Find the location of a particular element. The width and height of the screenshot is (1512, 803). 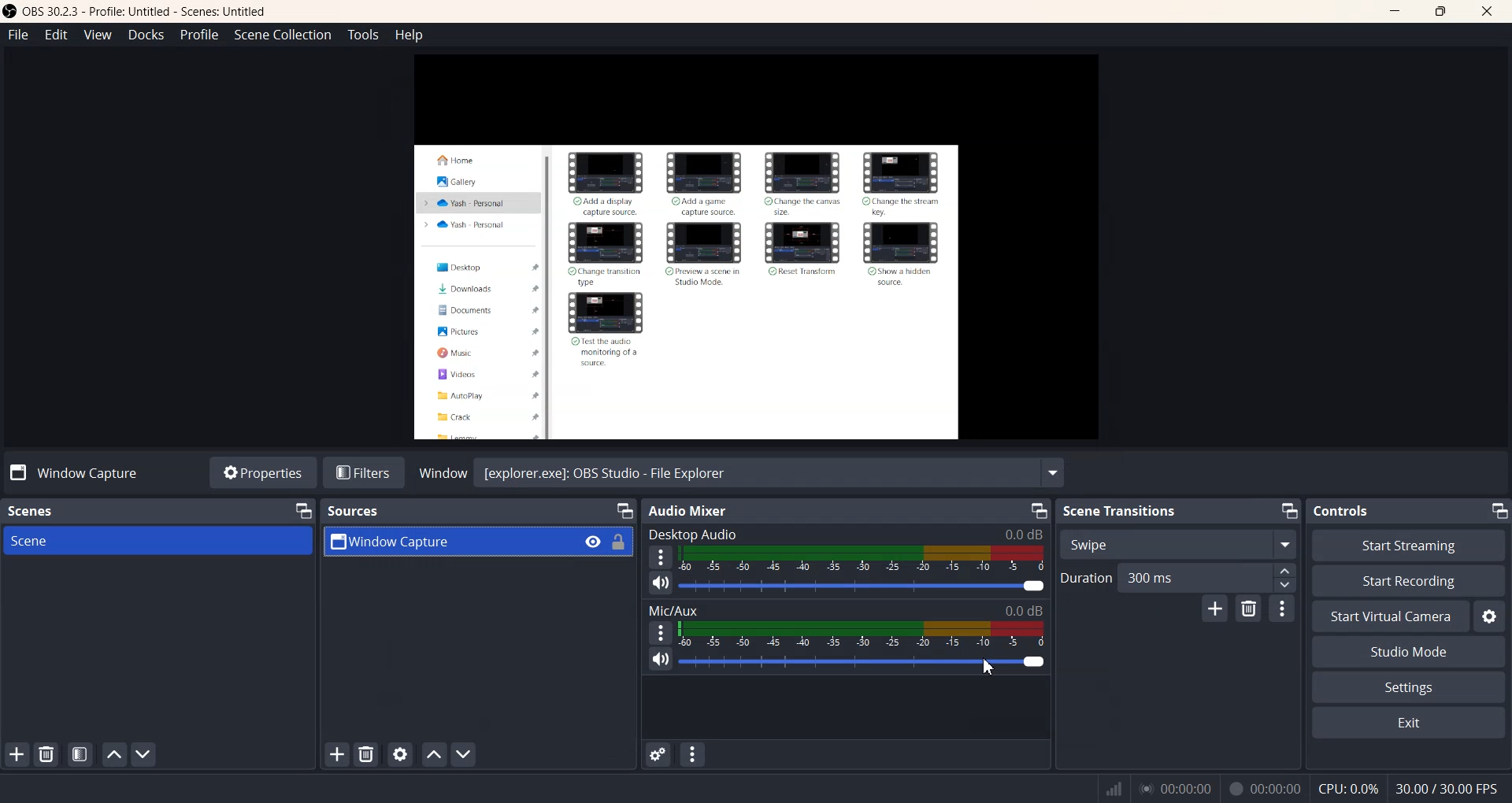

Minimize is located at coordinates (623, 510).